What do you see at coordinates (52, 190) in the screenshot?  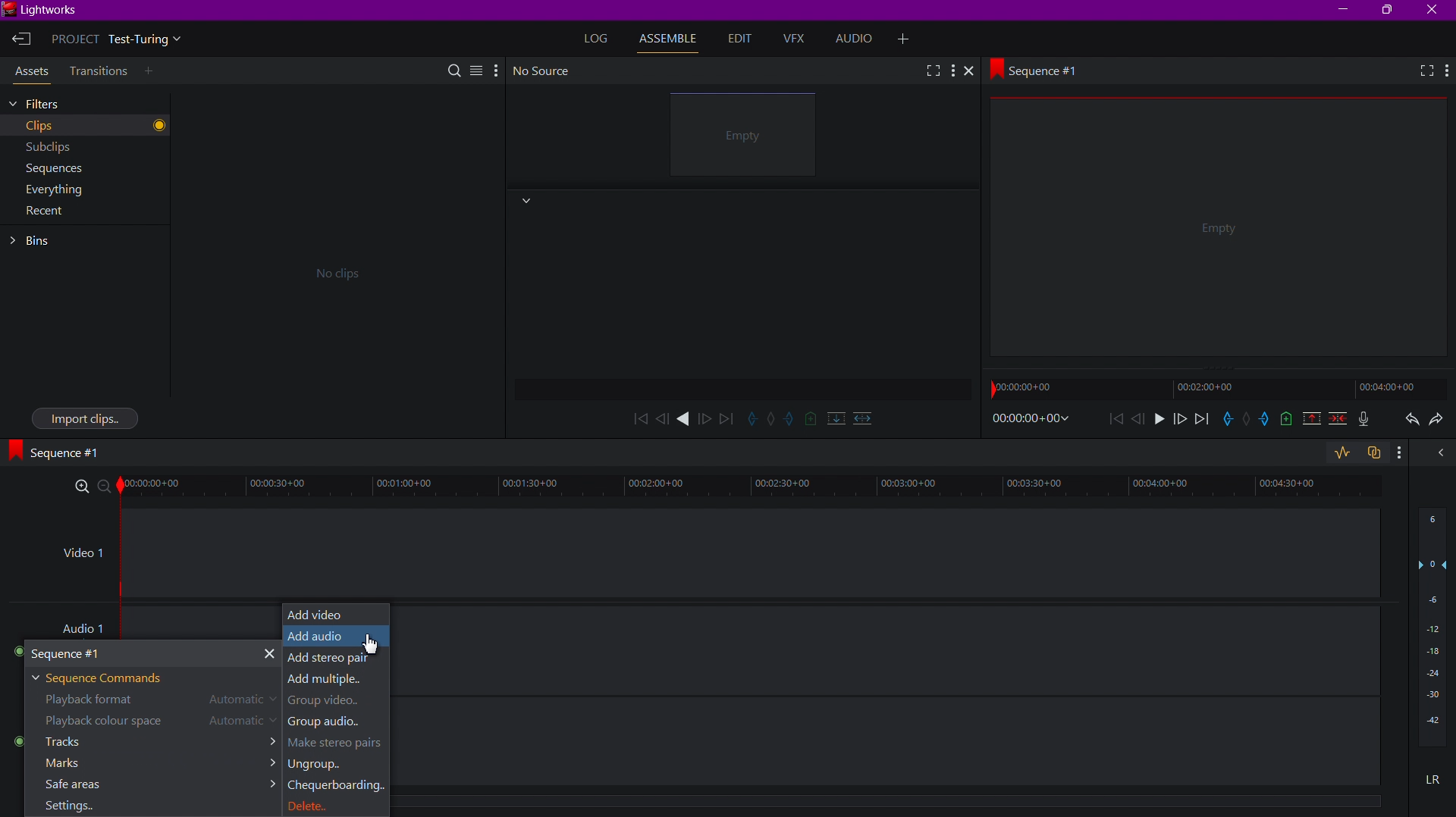 I see `Everything` at bounding box center [52, 190].